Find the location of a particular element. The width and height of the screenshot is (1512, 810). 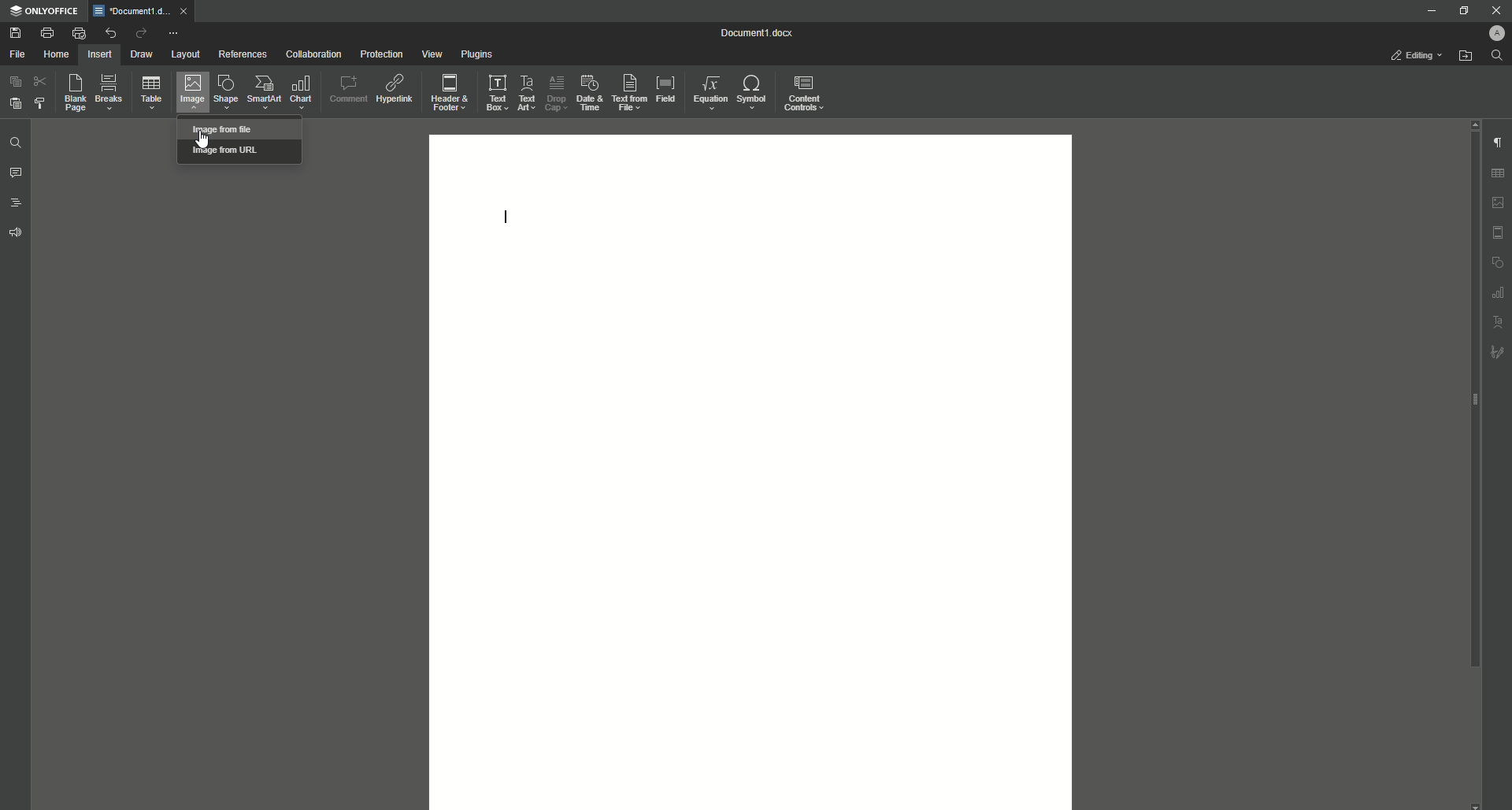

Protection is located at coordinates (381, 54).